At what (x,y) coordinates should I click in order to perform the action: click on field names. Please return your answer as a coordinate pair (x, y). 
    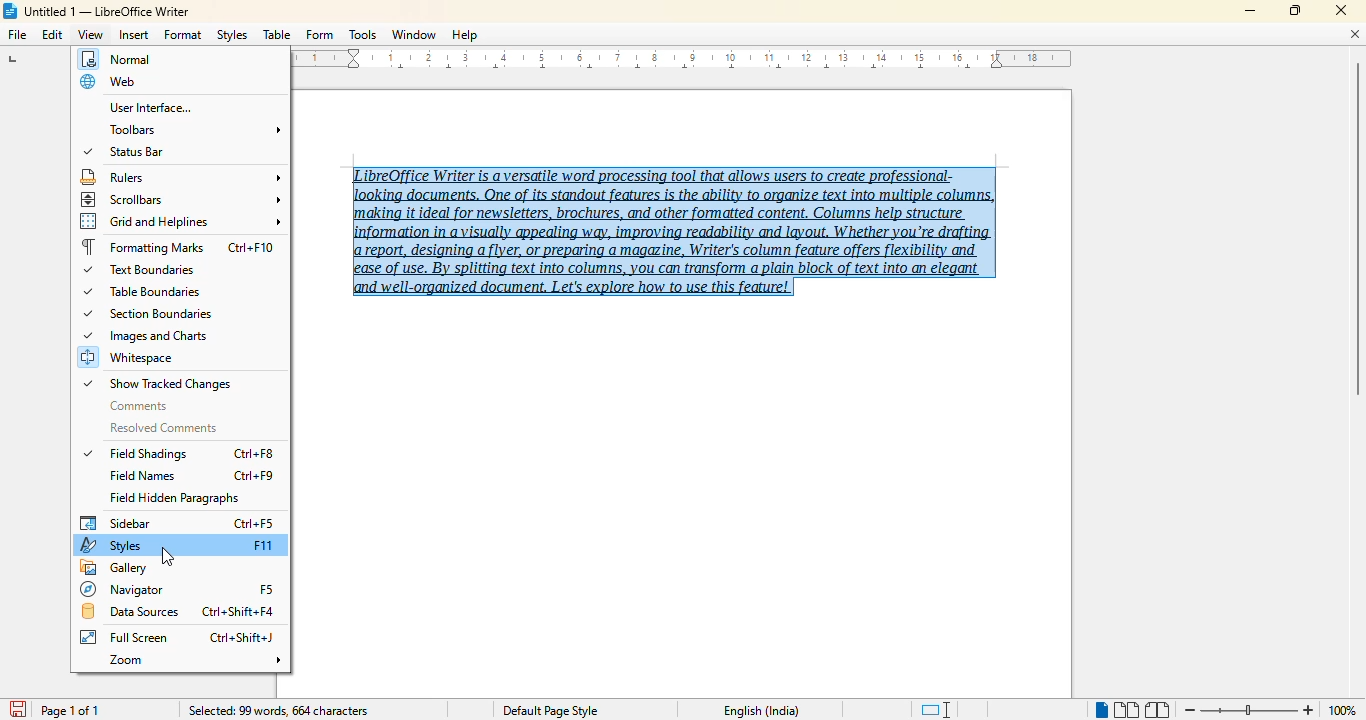
    Looking at the image, I should click on (183, 475).